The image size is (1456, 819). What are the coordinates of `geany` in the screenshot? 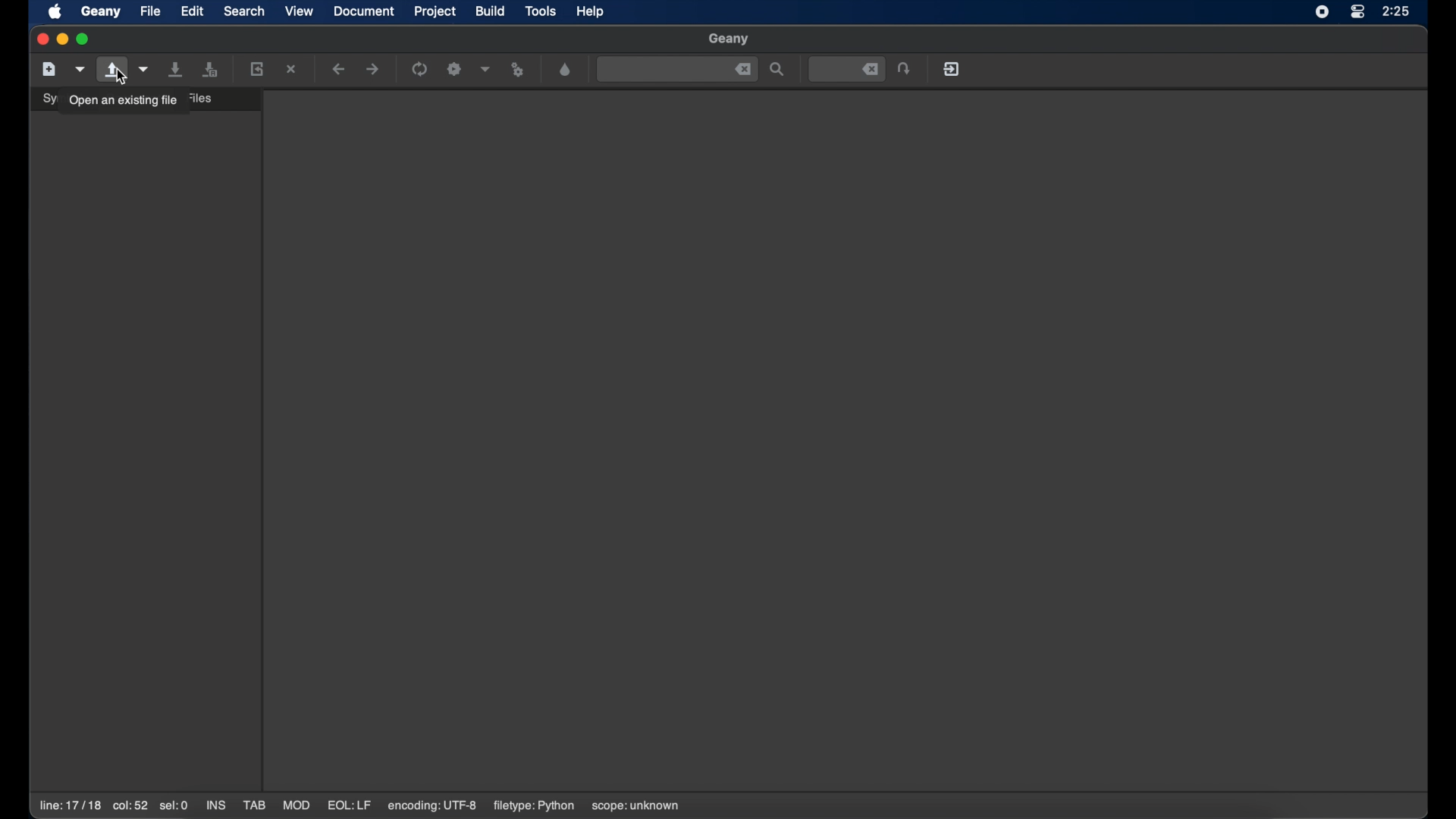 It's located at (101, 12).